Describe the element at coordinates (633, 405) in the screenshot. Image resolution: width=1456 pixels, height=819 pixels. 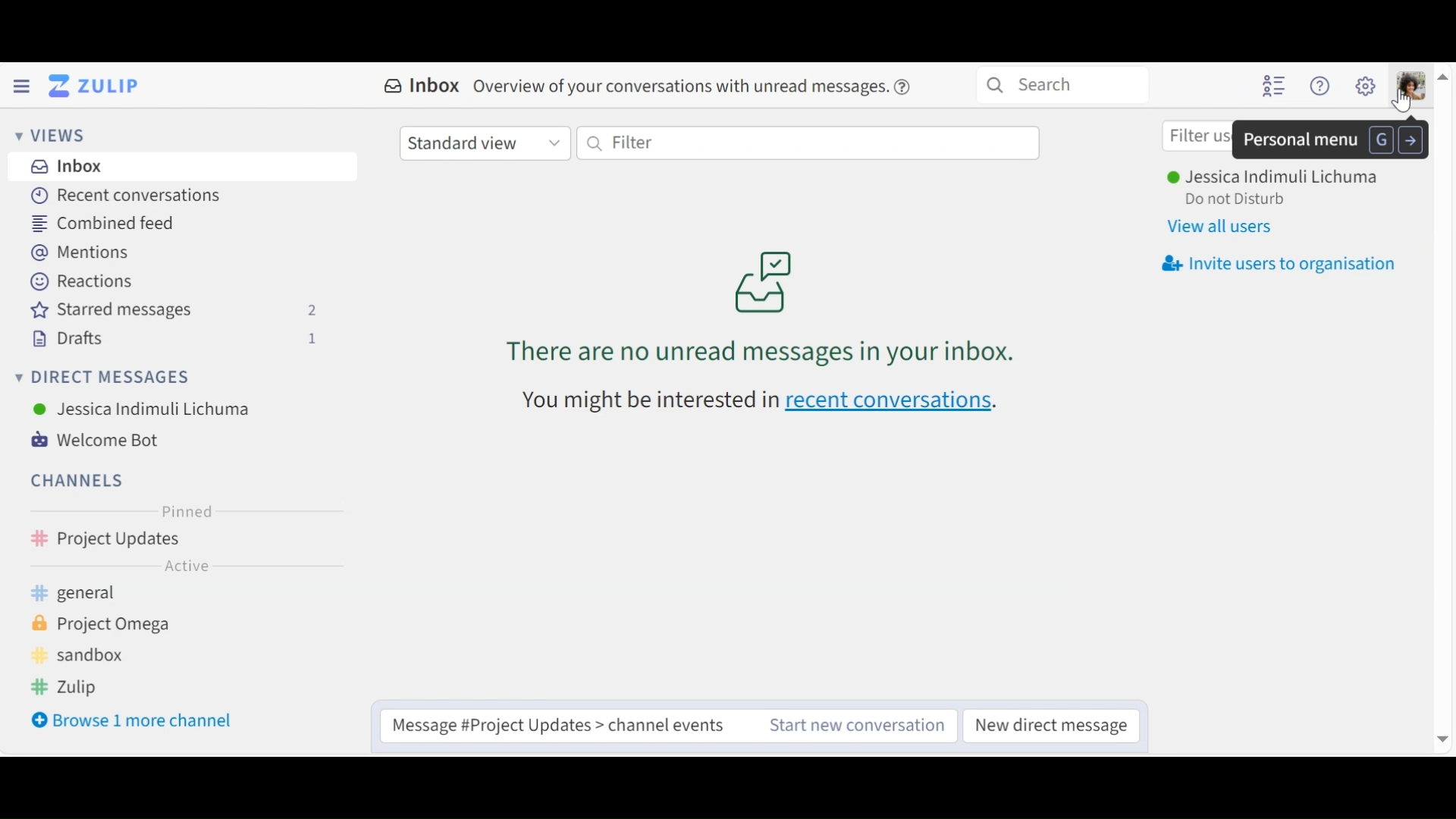
I see `You might be interested in` at that location.